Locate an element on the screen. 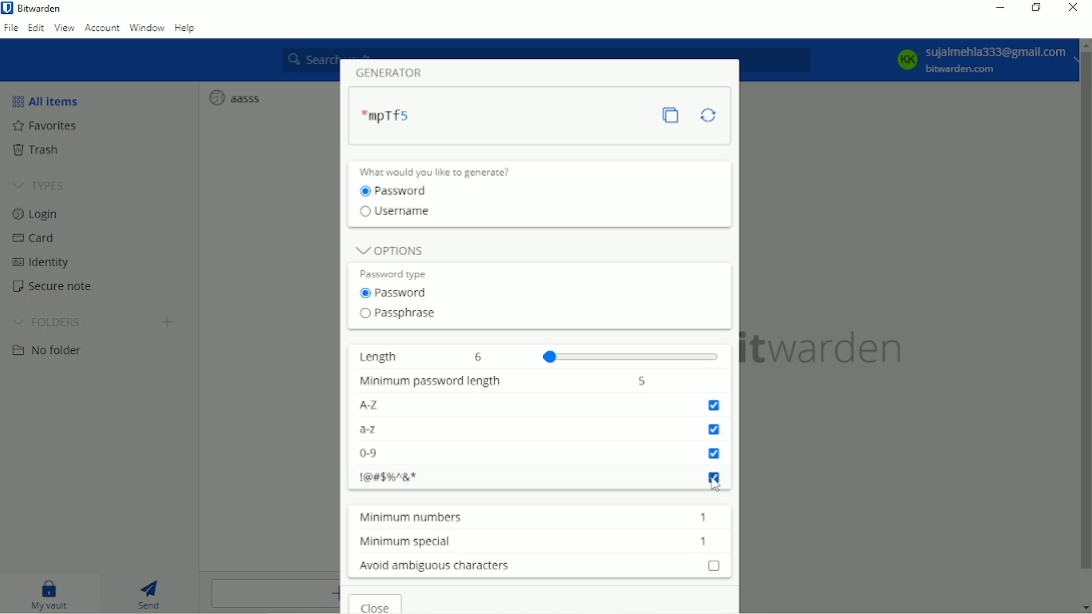  minimum number input is located at coordinates (707, 518).